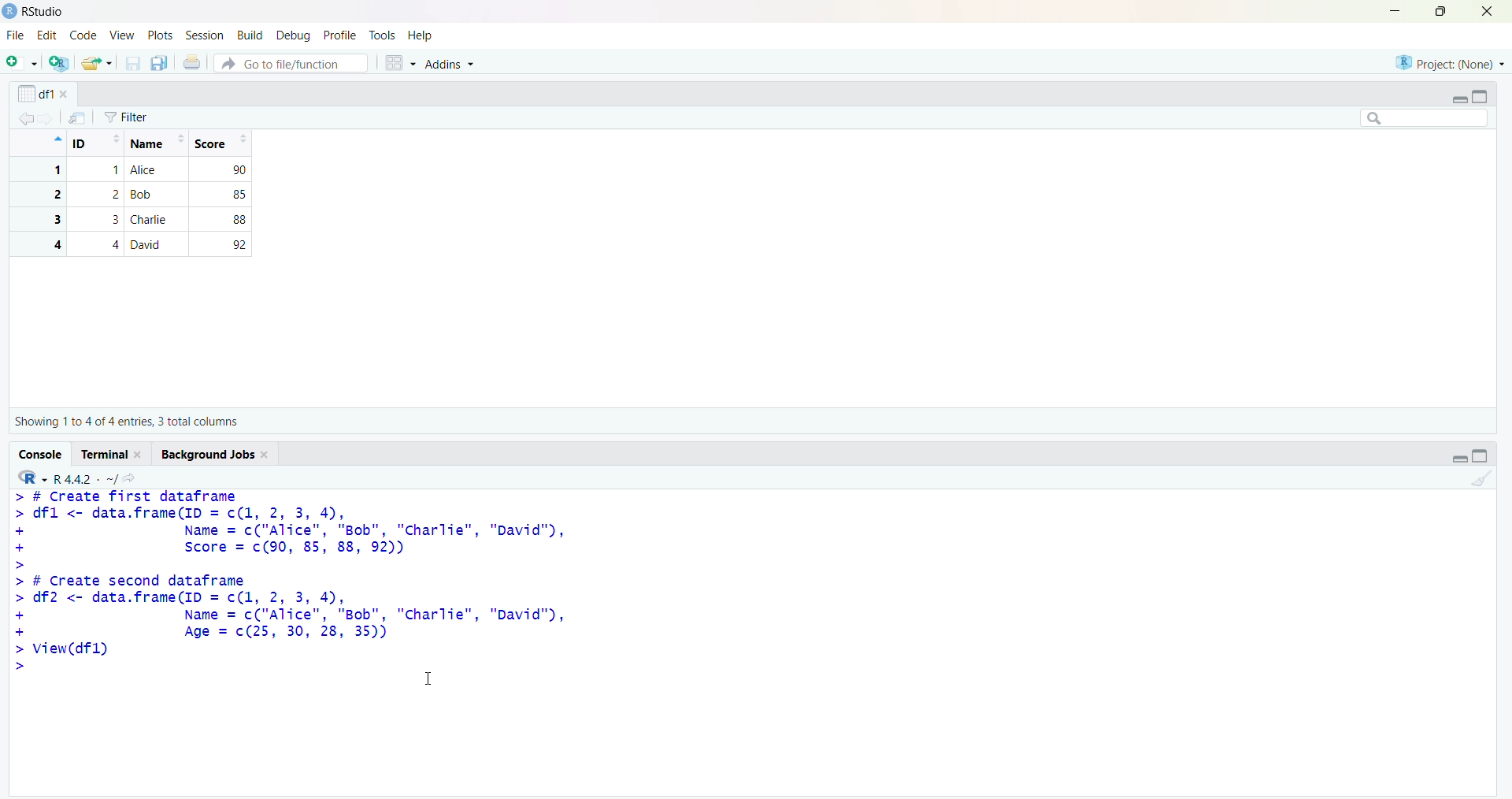  What do you see at coordinates (420, 35) in the screenshot?
I see `Help` at bounding box center [420, 35].